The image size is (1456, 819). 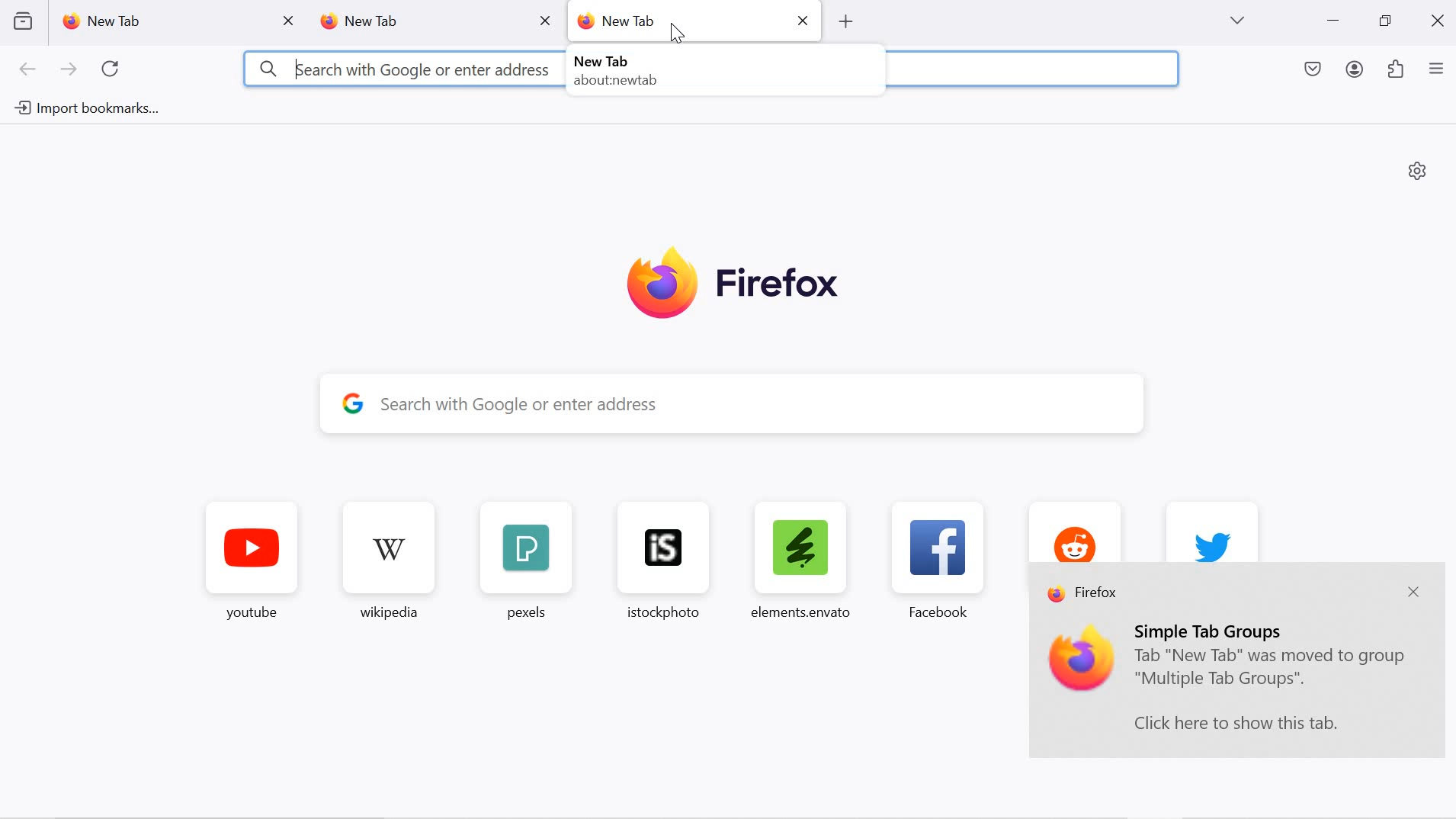 What do you see at coordinates (656, 560) in the screenshot?
I see `istockphoto favorite` at bounding box center [656, 560].